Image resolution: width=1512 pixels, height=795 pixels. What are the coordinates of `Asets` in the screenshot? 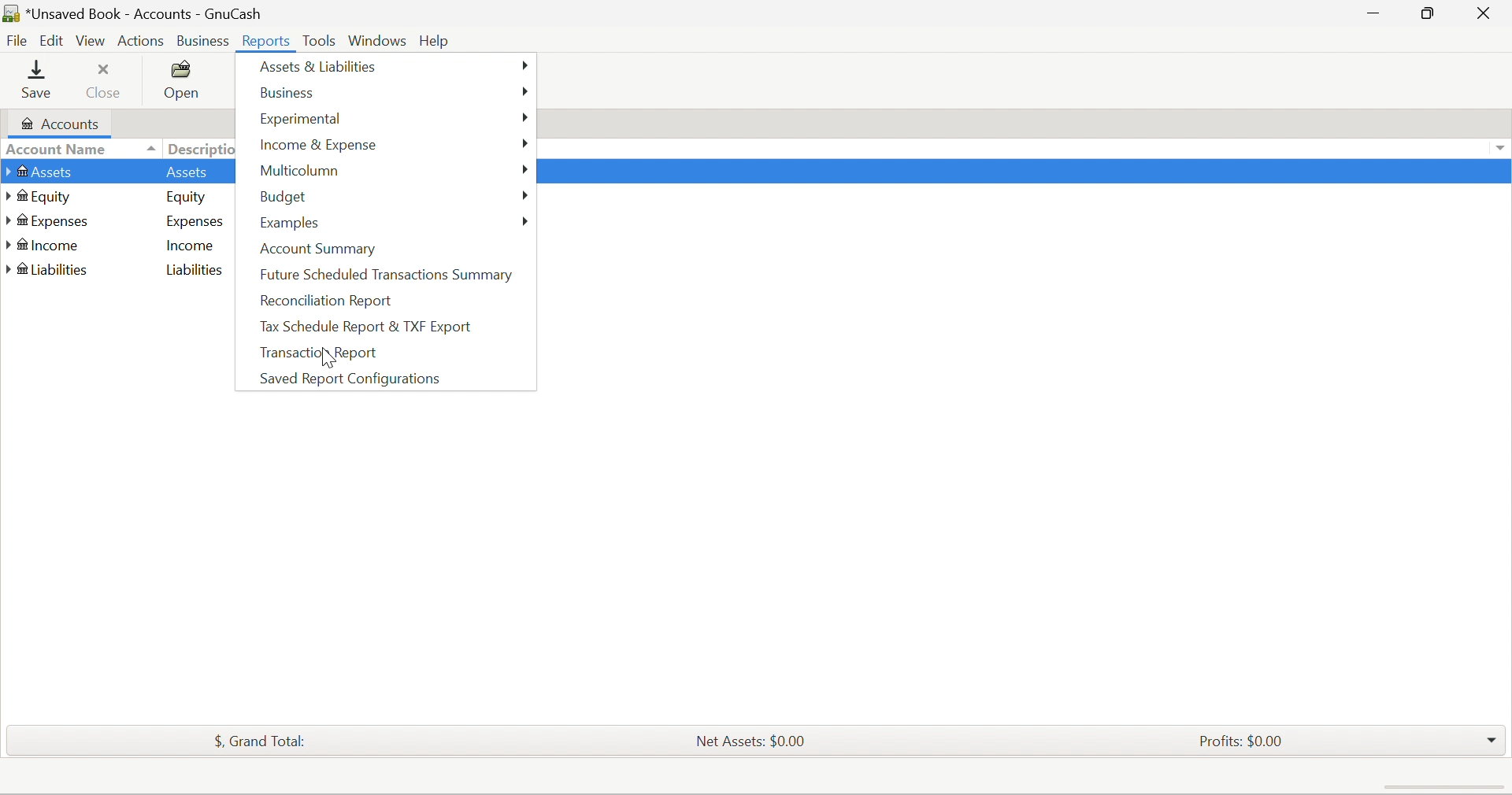 It's located at (188, 174).